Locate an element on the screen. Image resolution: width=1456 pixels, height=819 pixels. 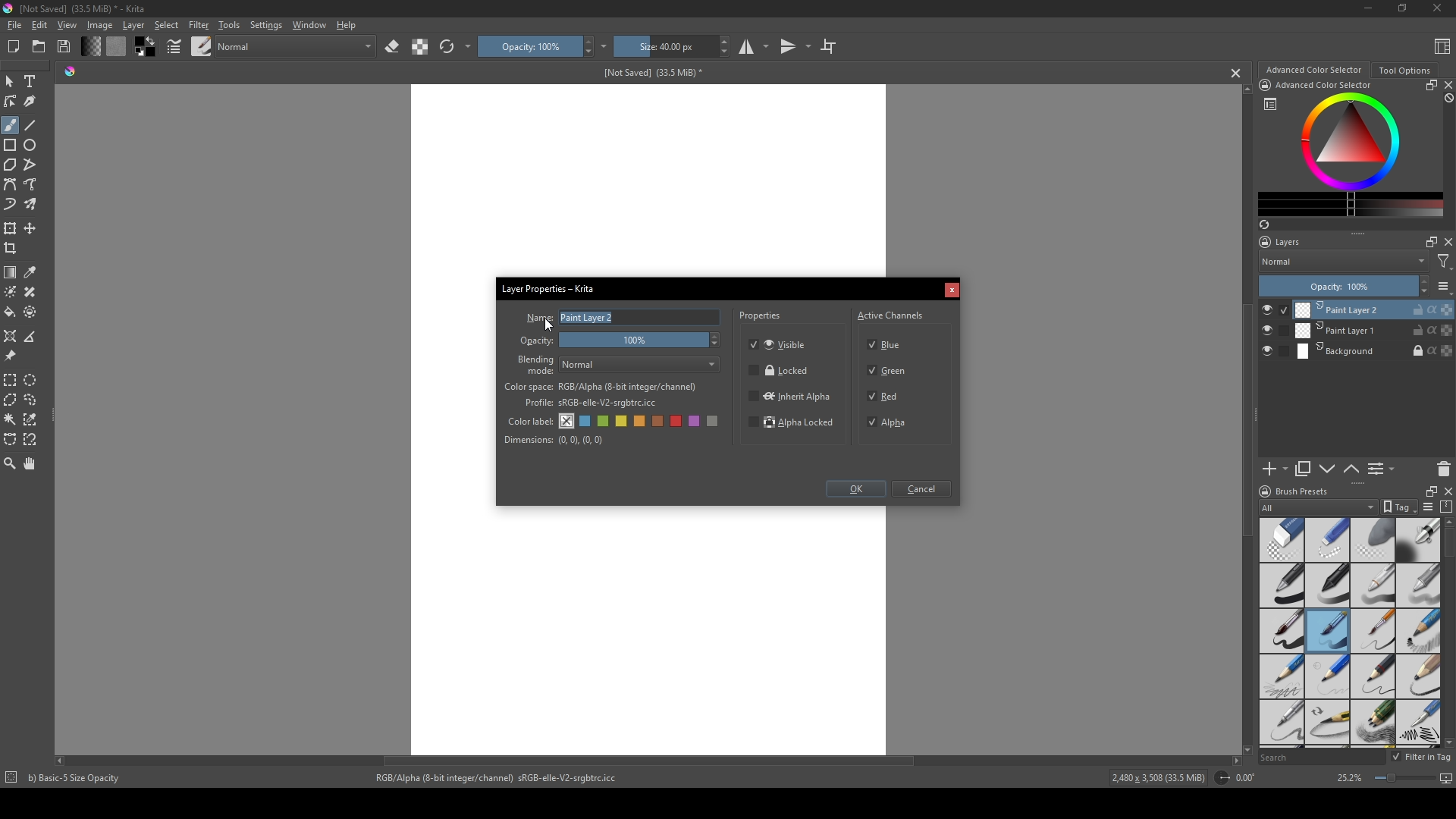
brush is located at coordinates (202, 45).